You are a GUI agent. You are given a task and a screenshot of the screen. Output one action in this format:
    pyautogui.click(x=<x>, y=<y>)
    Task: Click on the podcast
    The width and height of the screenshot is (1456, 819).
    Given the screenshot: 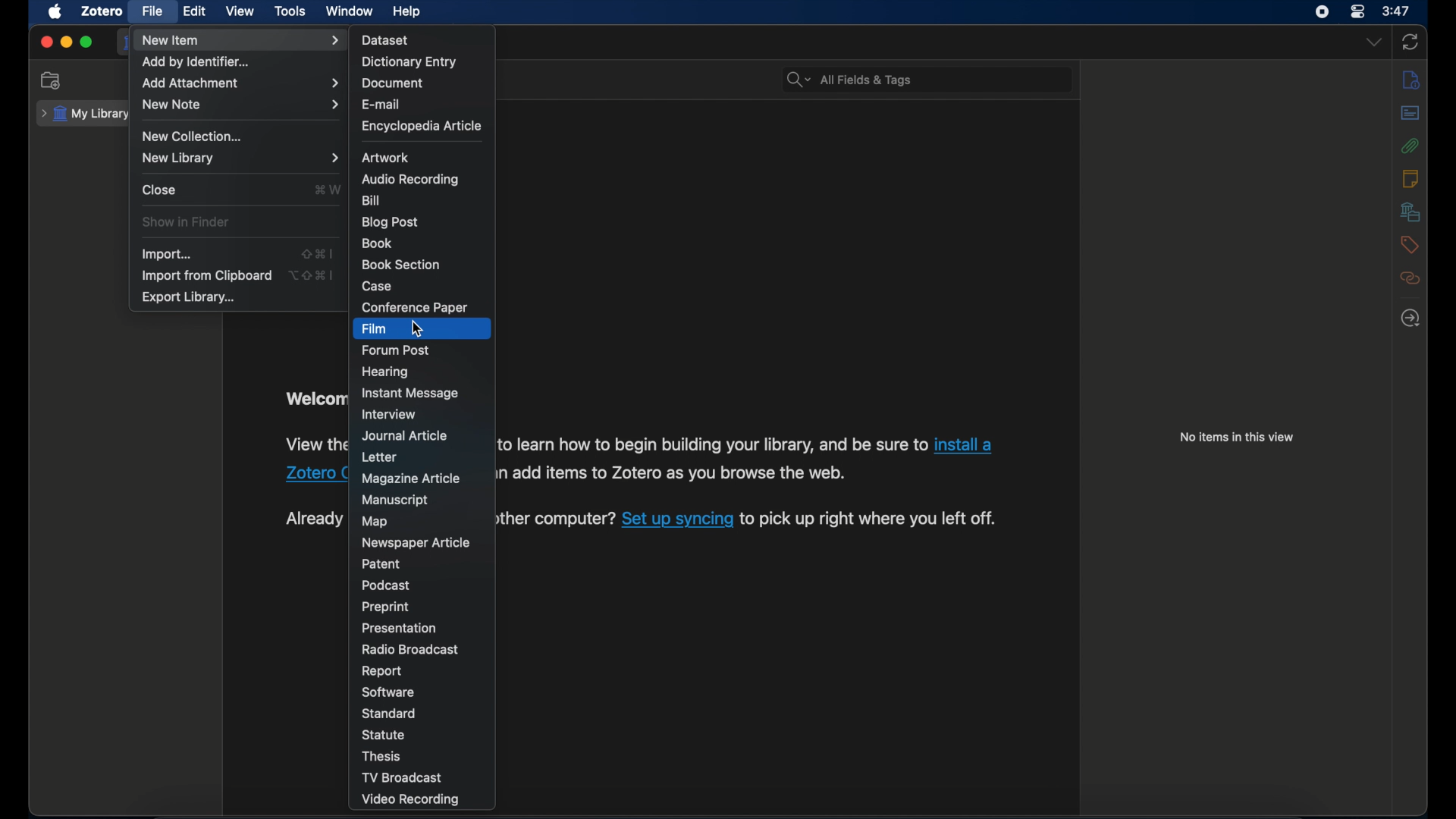 What is the action you would take?
    pyautogui.click(x=386, y=585)
    